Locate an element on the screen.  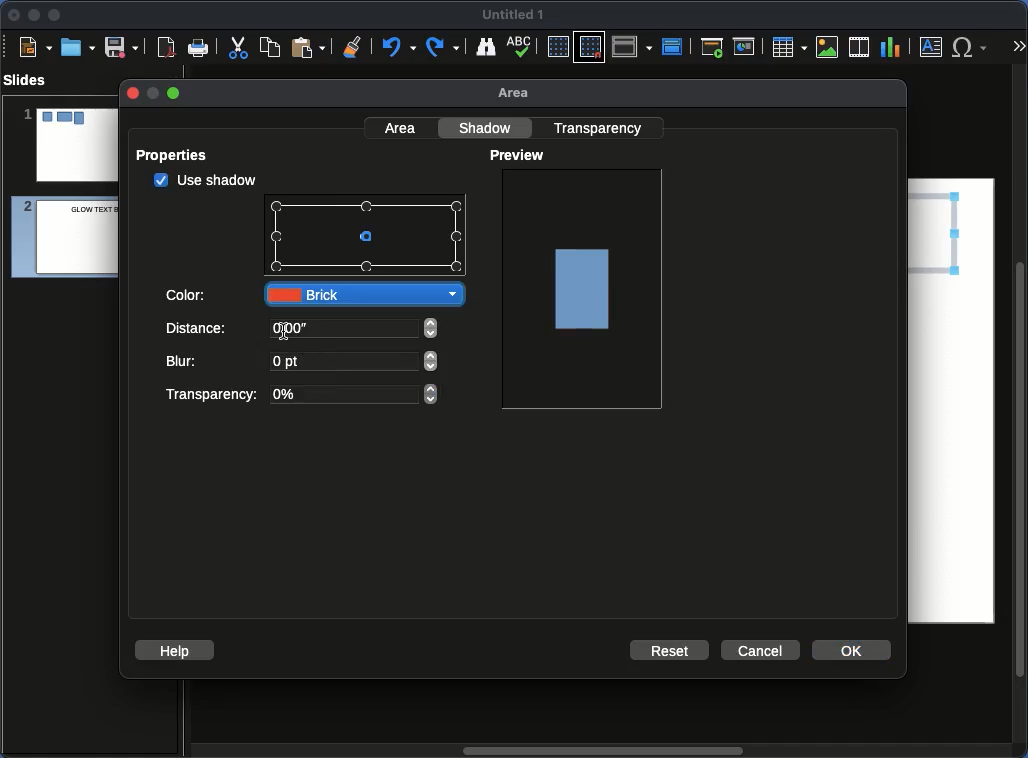
Name is located at coordinates (514, 15).